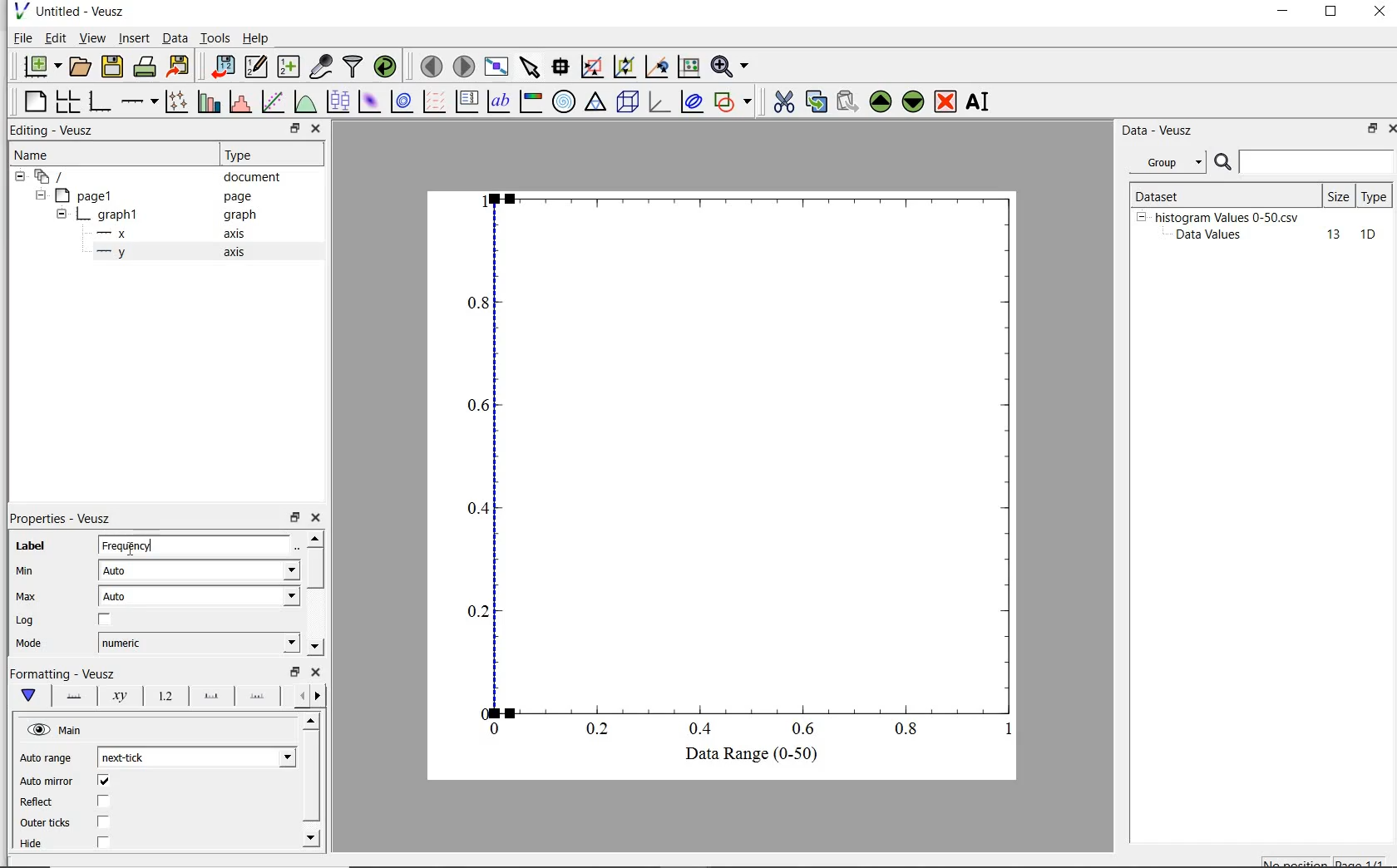 The width and height of the screenshot is (1397, 868). Describe the element at coordinates (659, 102) in the screenshot. I see `3d graph` at that location.